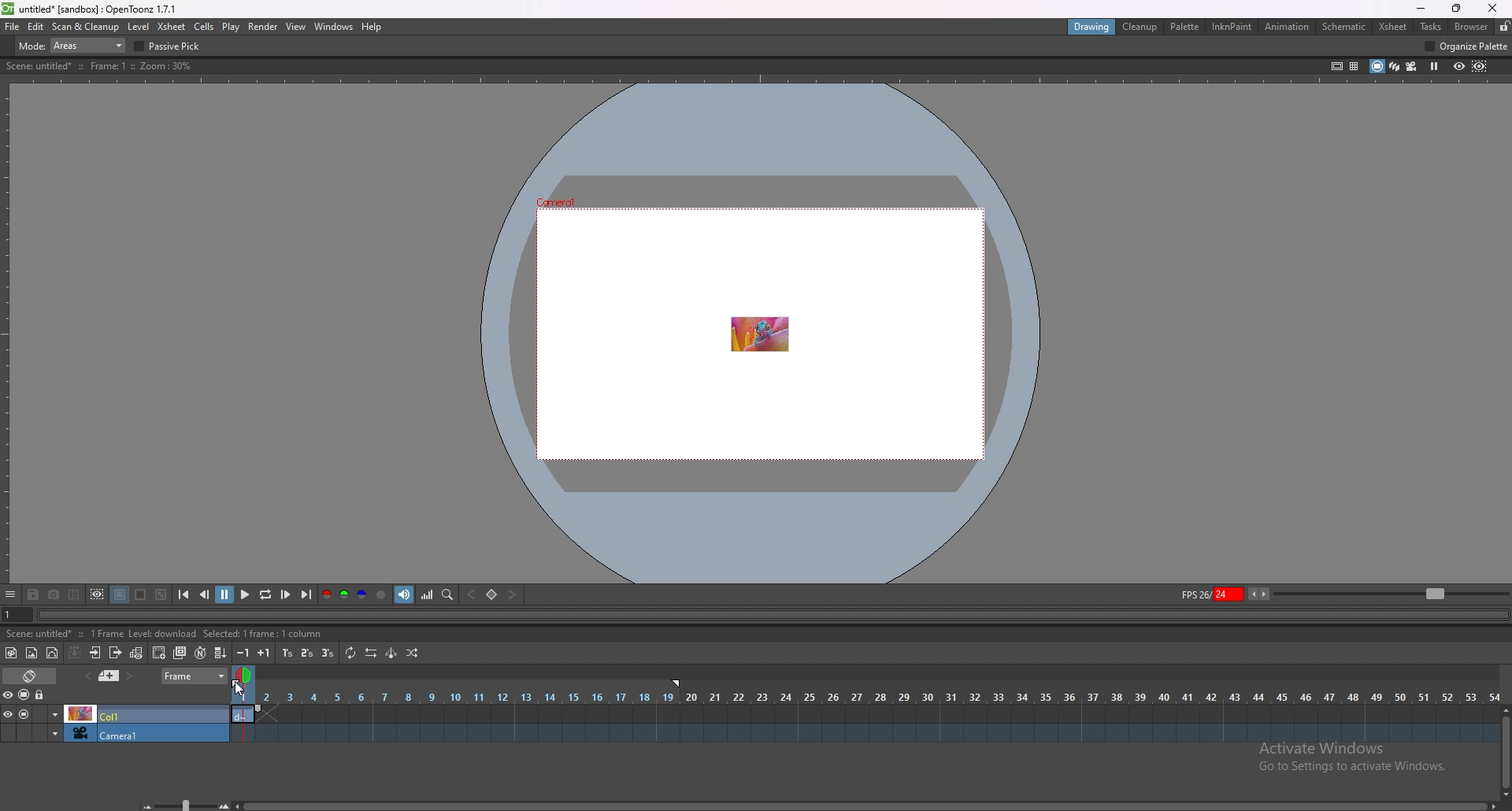  I want to click on minimize, so click(1421, 9).